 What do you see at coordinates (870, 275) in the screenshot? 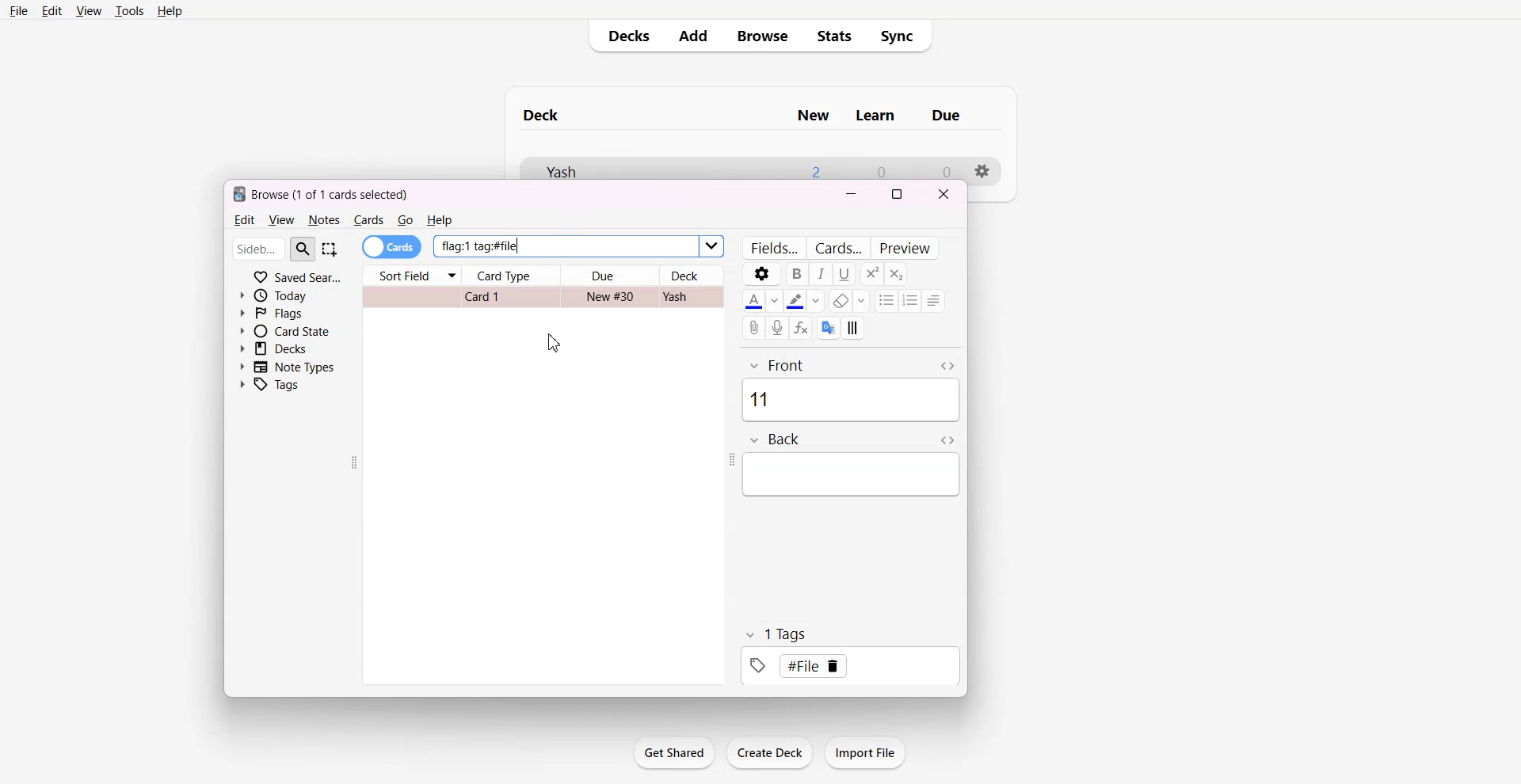
I see `Subscript` at bounding box center [870, 275].